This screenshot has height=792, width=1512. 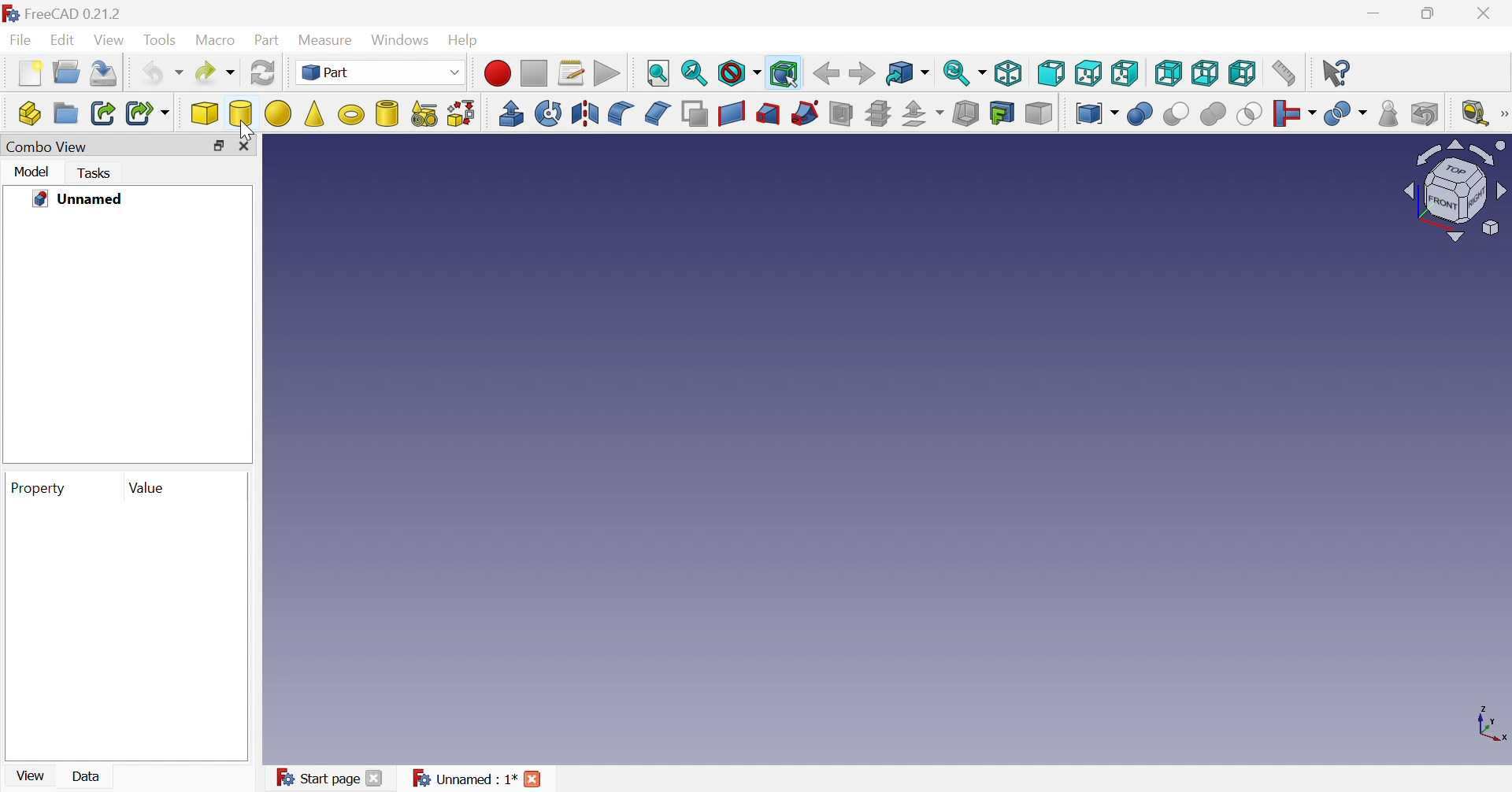 I want to click on Part, so click(x=379, y=72).